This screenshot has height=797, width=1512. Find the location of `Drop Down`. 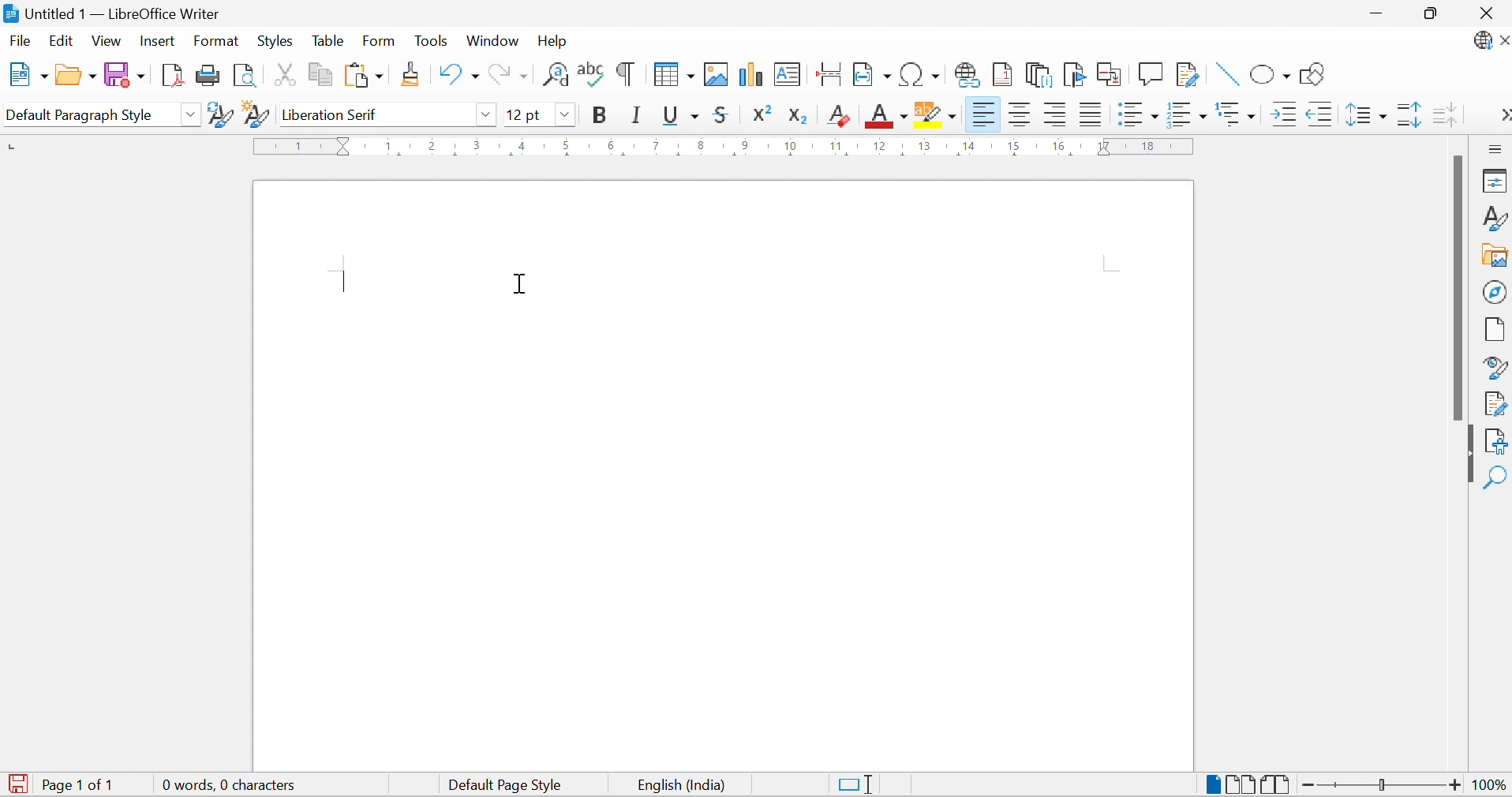

Drop Down is located at coordinates (485, 114).